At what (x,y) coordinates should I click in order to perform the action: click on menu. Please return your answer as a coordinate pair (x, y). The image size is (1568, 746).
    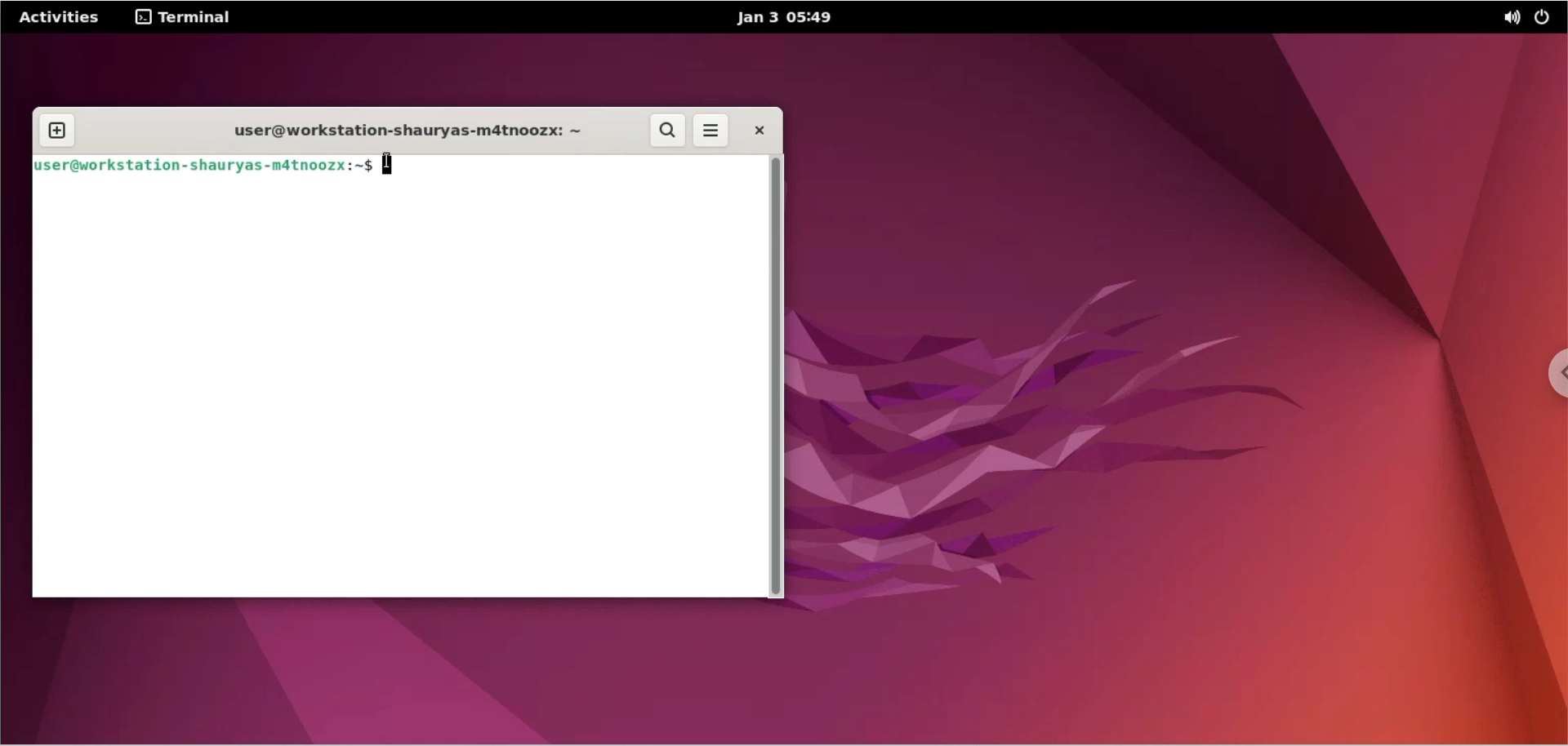
    Looking at the image, I should click on (711, 132).